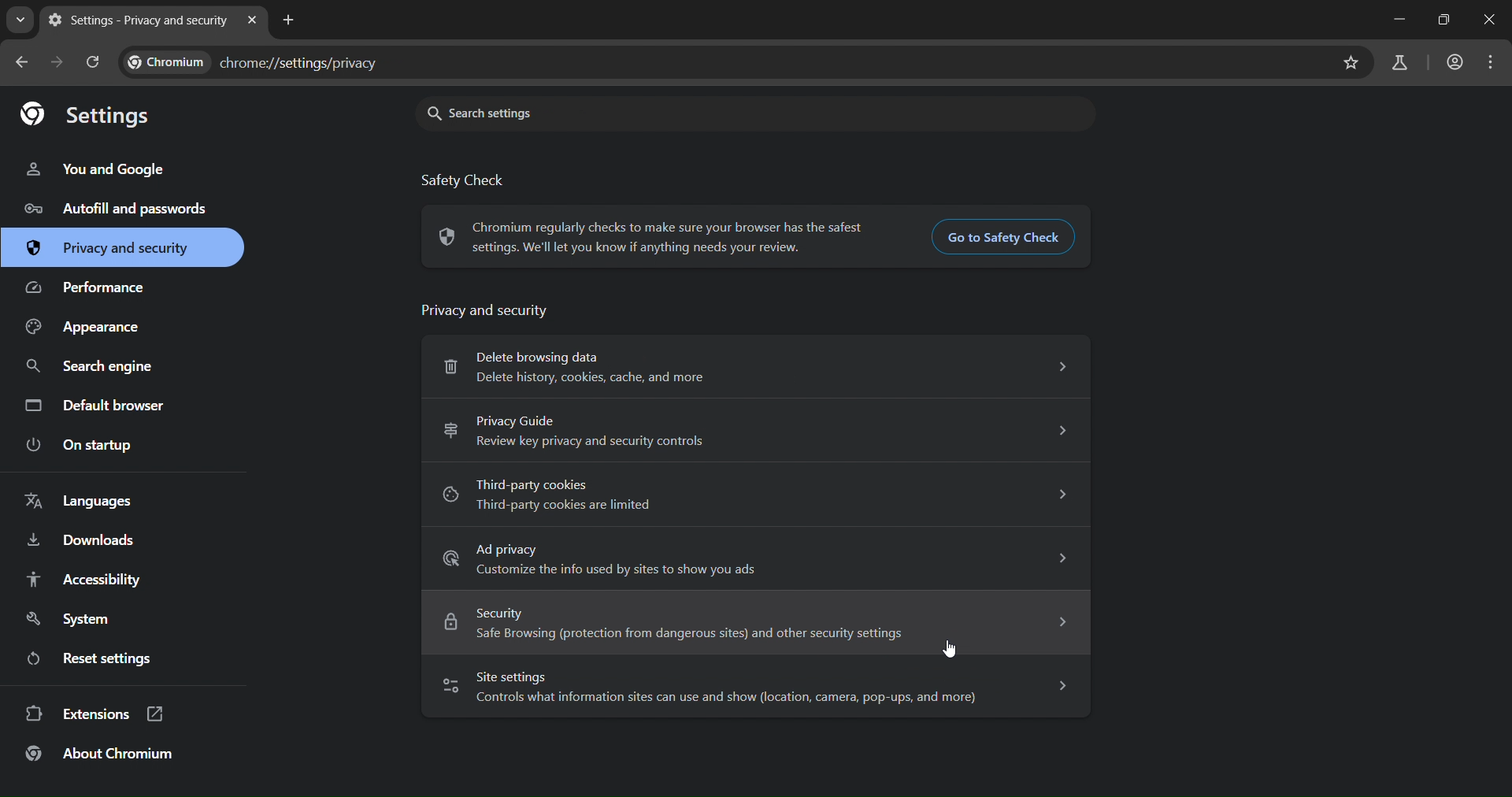  Describe the element at coordinates (106, 716) in the screenshot. I see `extensions ` at that location.